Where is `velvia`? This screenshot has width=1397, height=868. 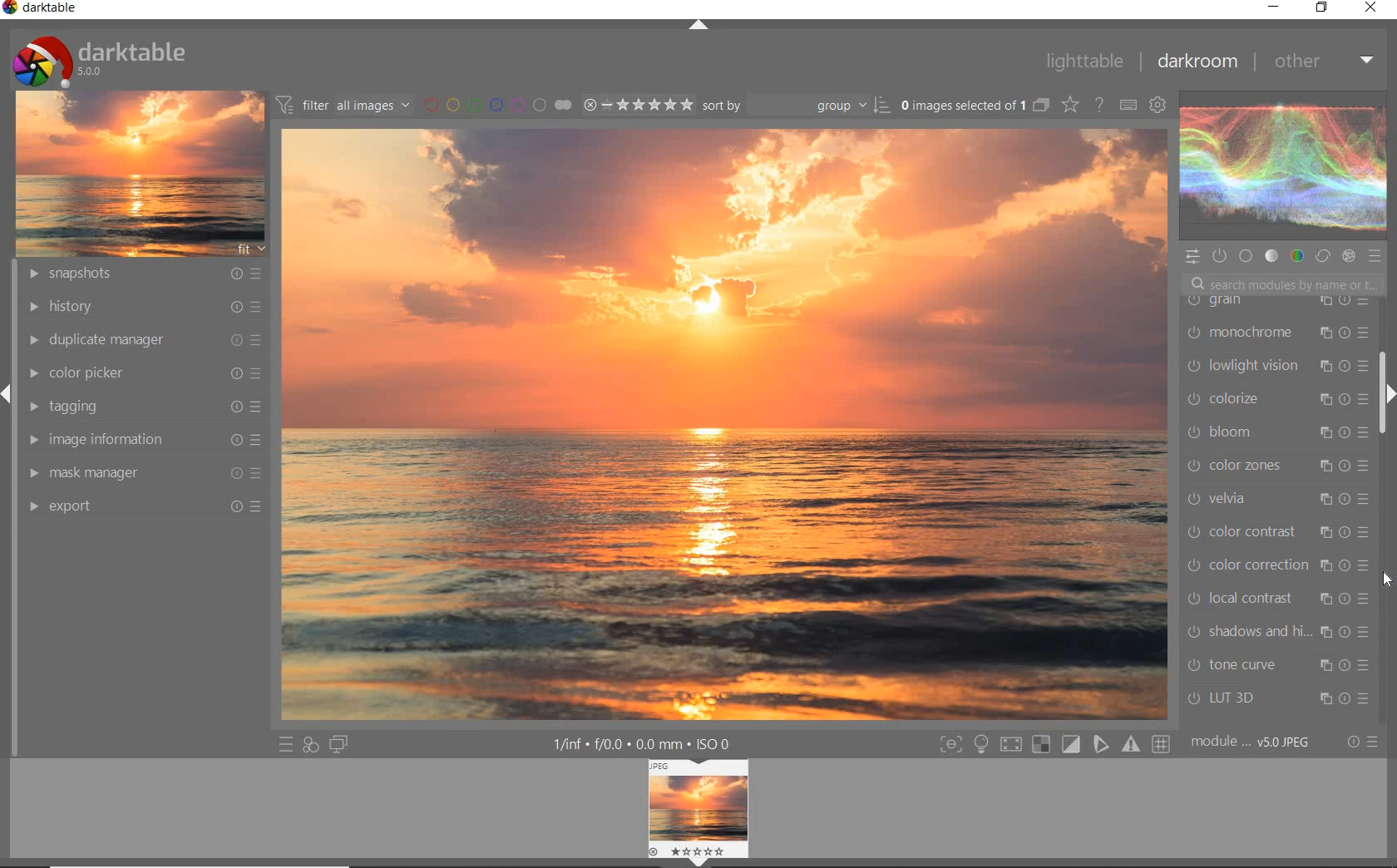
velvia is located at coordinates (1273, 501).